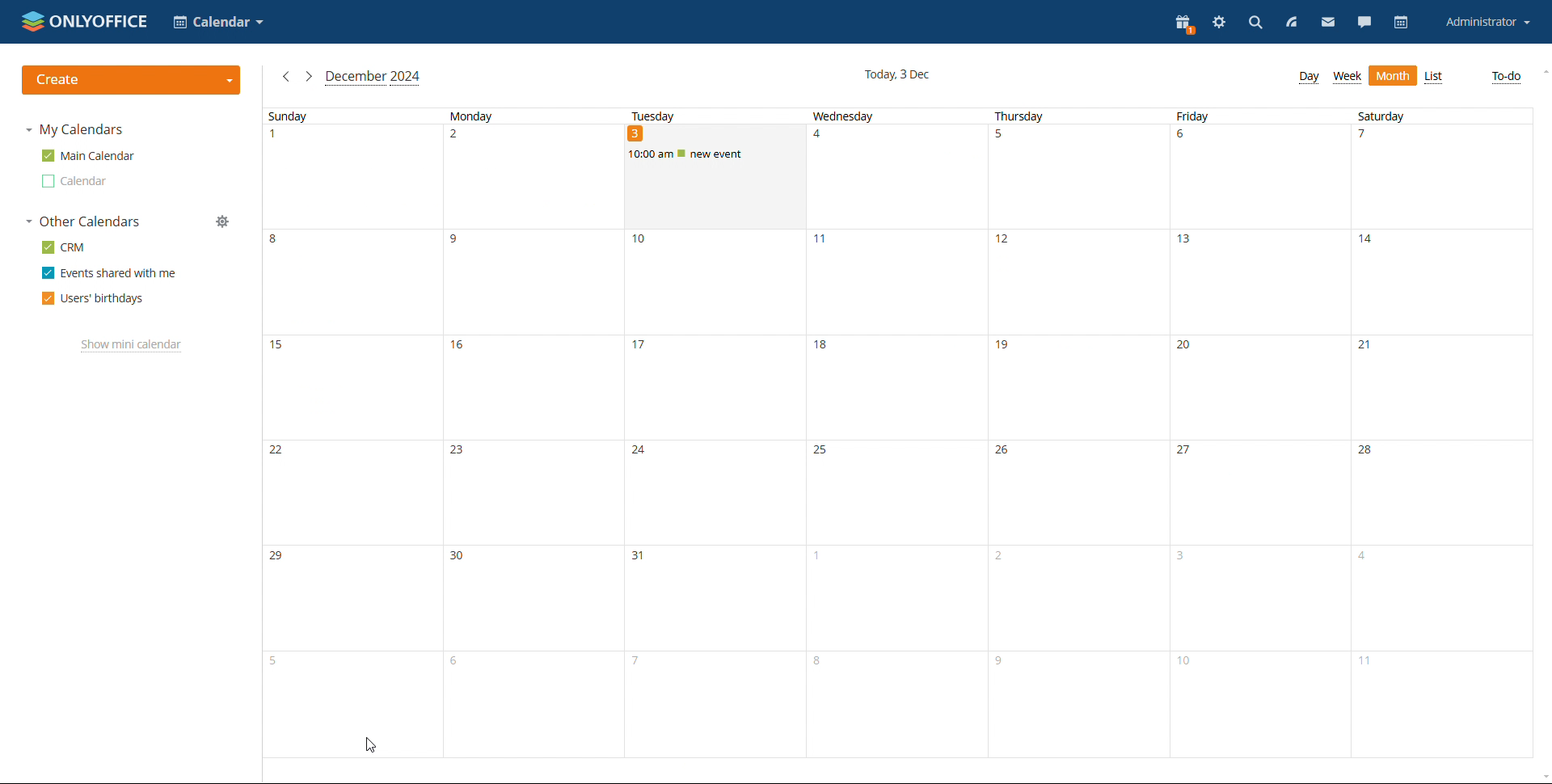 The height and width of the screenshot is (784, 1552). What do you see at coordinates (1261, 705) in the screenshot?
I see `10` at bounding box center [1261, 705].